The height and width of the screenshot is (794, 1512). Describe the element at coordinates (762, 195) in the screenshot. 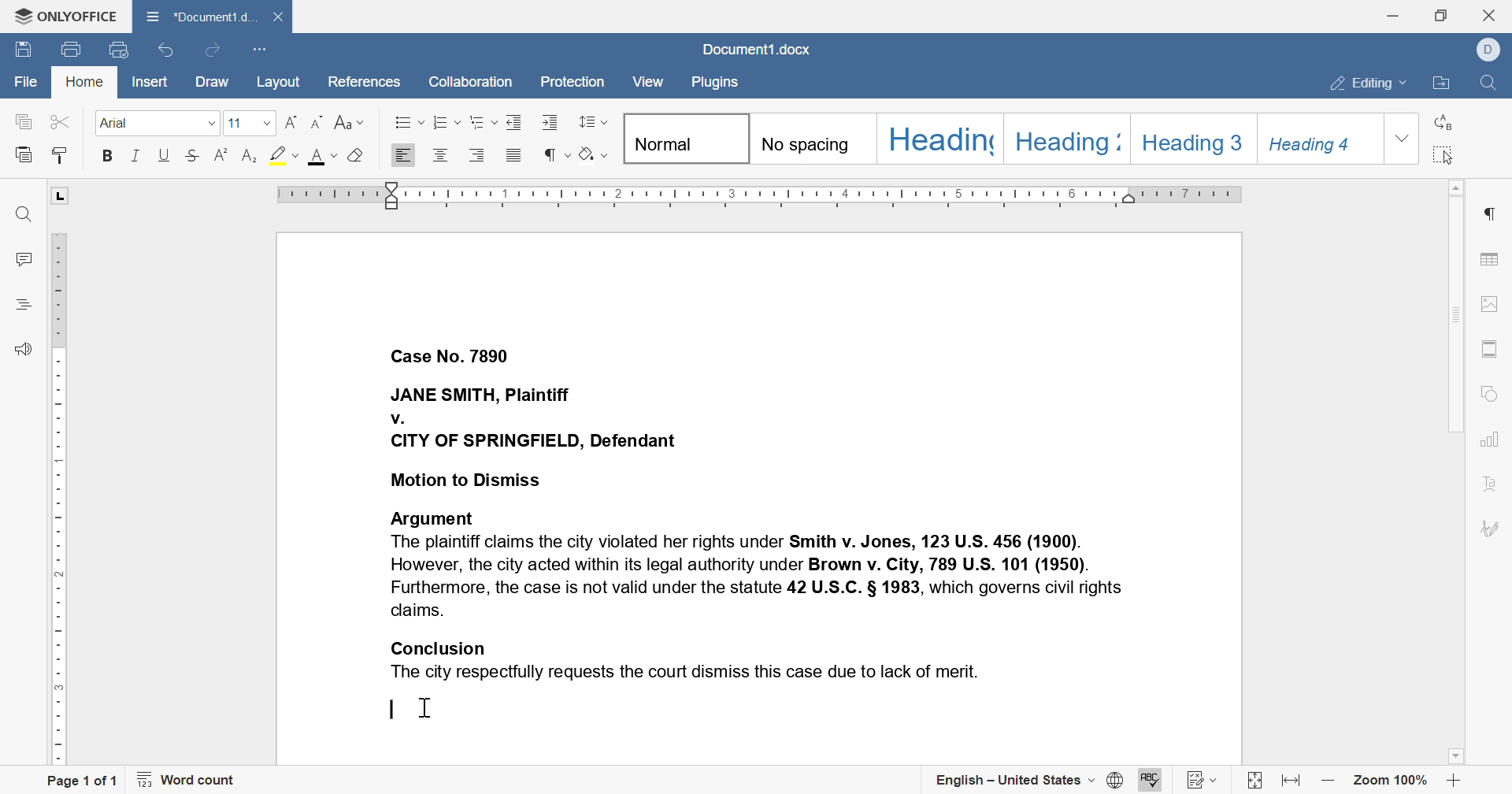

I see `ruler` at that location.